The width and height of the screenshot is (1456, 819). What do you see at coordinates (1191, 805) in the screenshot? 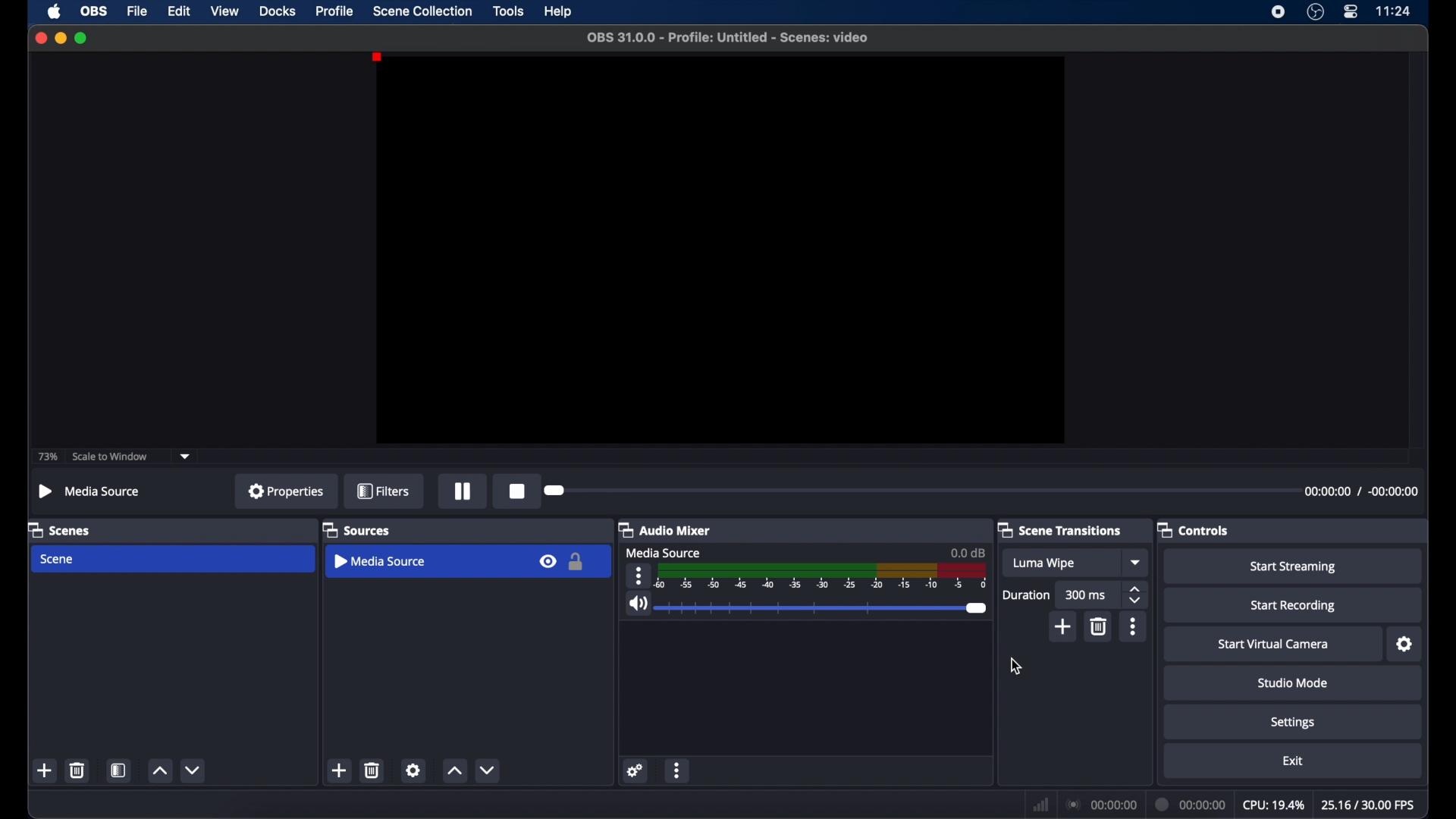
I see `duration` at bounding box center [1191, 805].